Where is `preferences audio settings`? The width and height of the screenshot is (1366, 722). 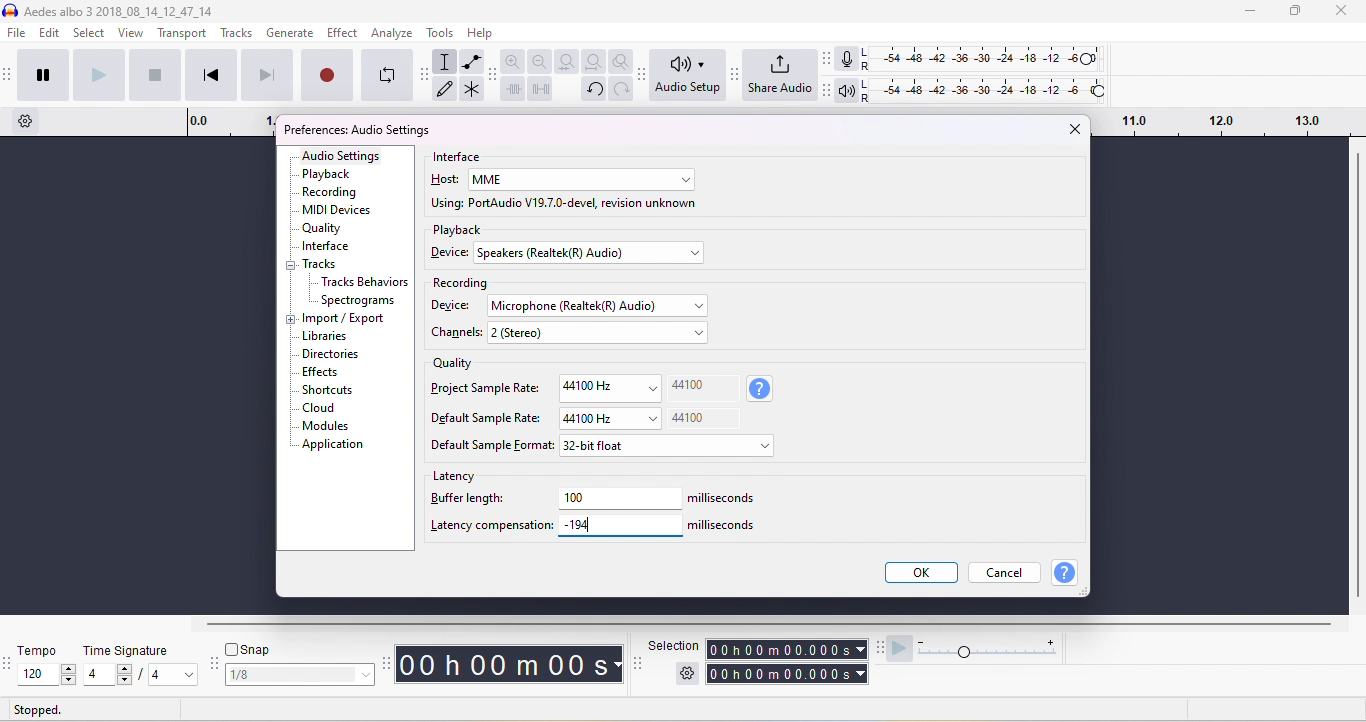
preferences audio settings is located at coordinates (356, 130).